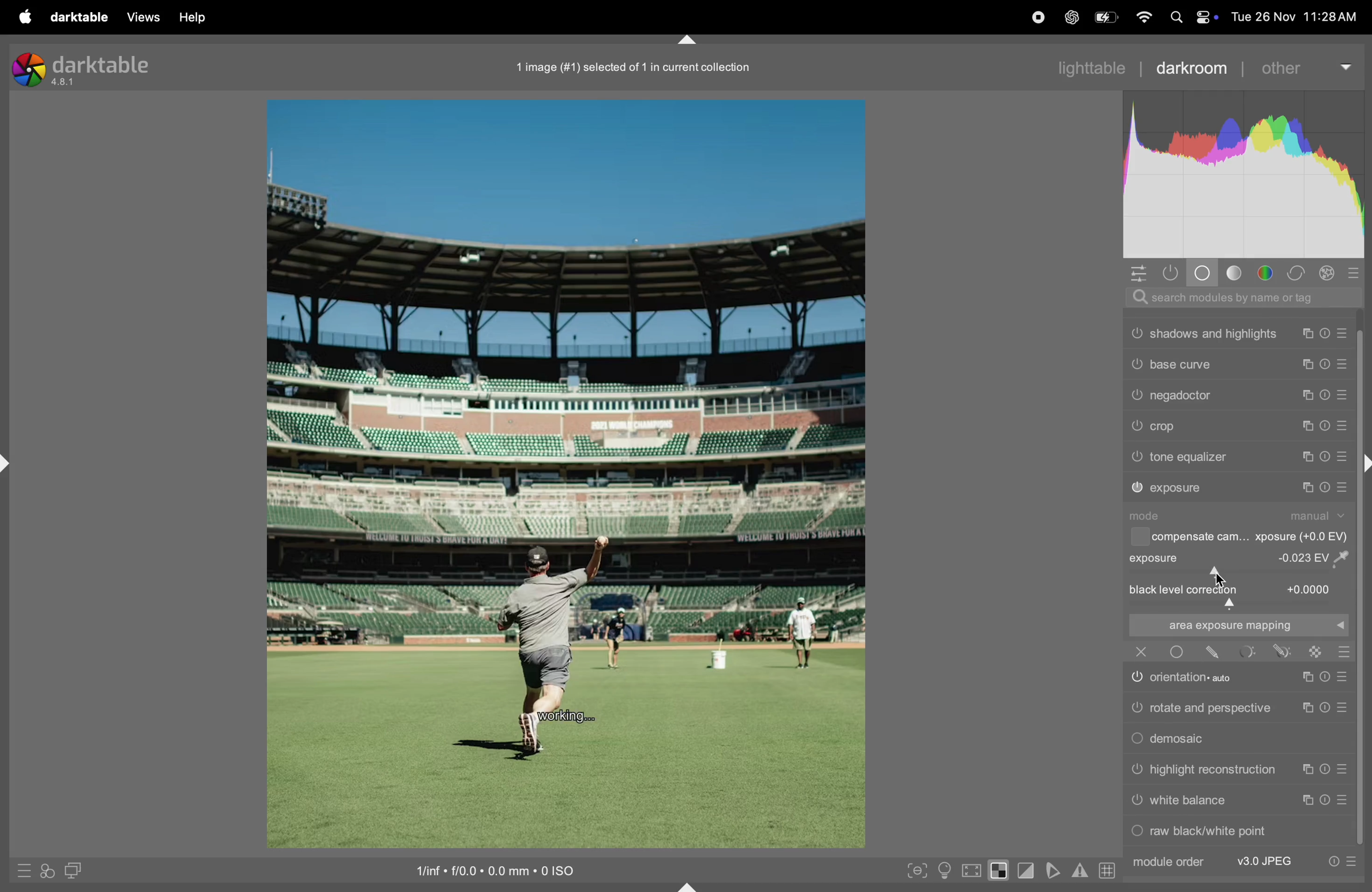 The height and width of the screenshot is (892, 1372). I want to click on Presets , so click(1344, 427).